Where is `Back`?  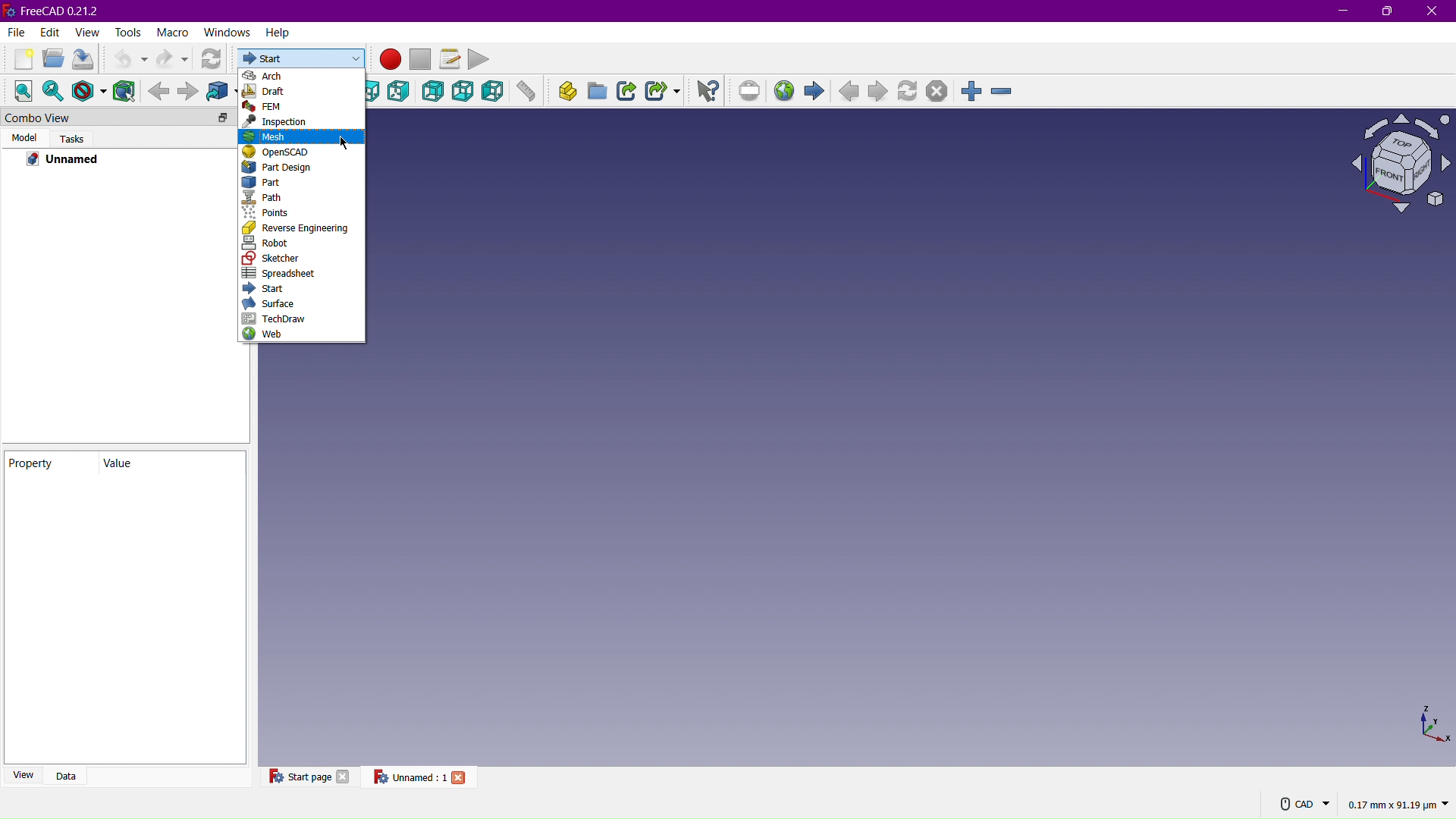
Back is located at coordinates (433, 93).